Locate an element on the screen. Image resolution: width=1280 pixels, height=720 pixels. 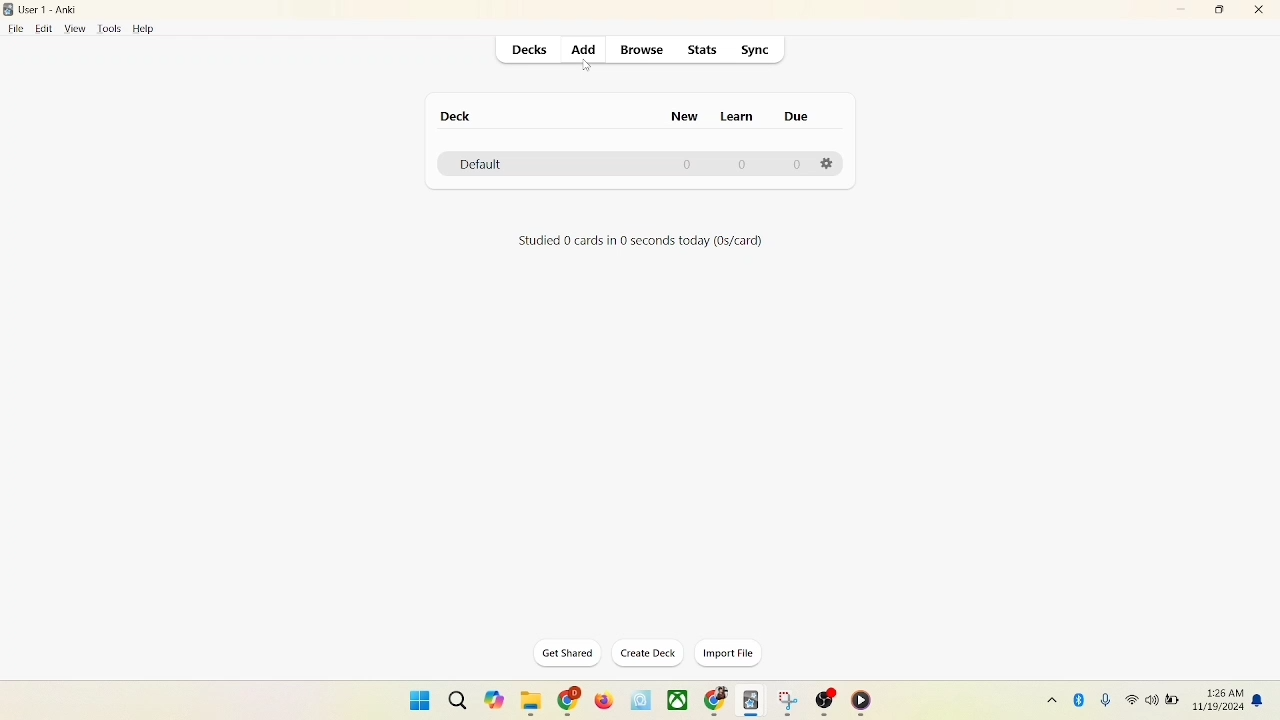
tools is located at coordinates (109, 29).